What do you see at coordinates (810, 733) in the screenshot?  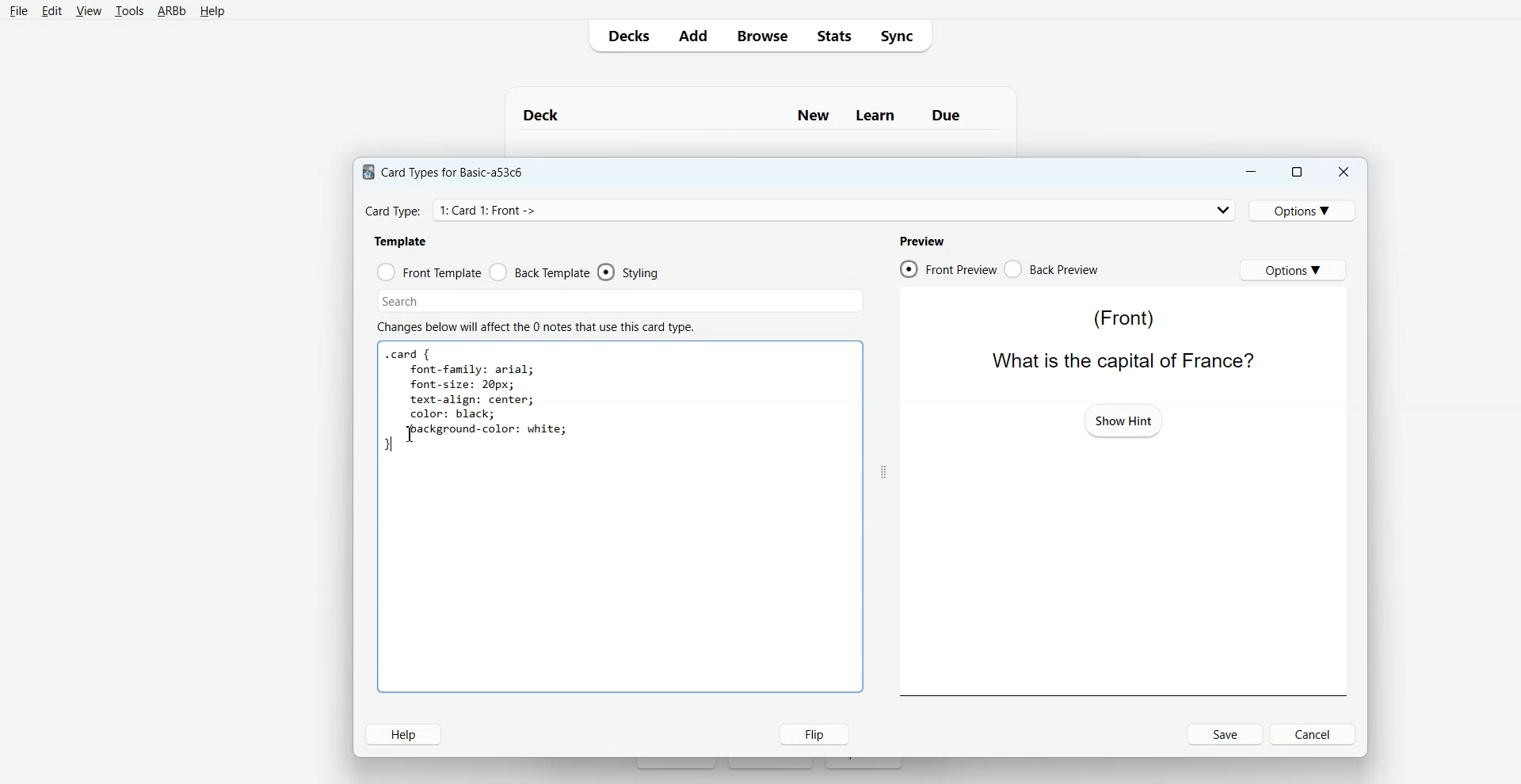 I see `Flip` at bounding box center [810, 733].